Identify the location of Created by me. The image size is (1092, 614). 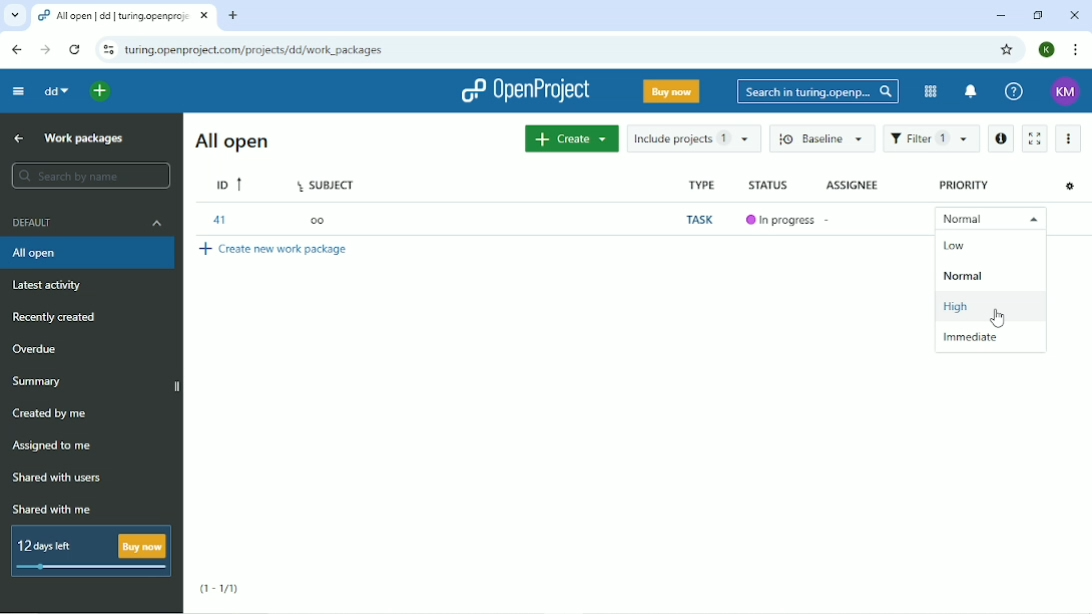
(54, 414).